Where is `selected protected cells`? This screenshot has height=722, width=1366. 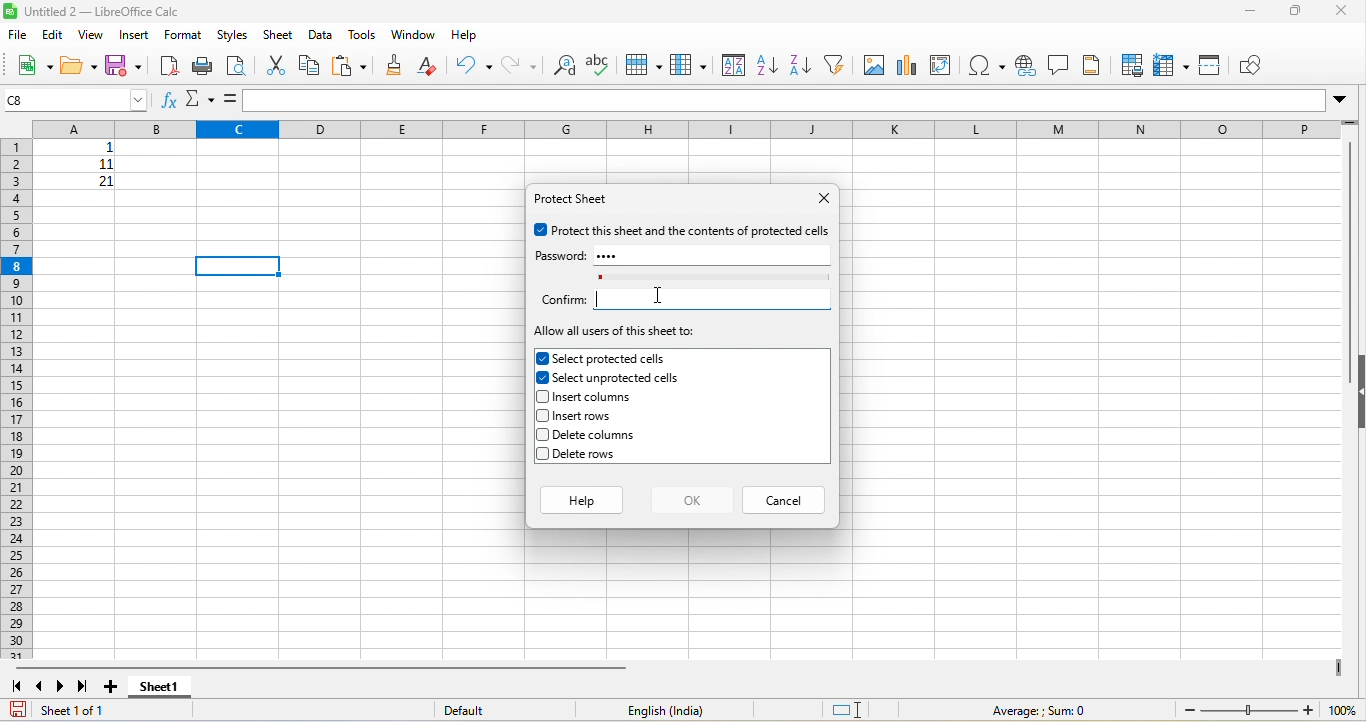 selected protected cells is located at coordinates (610, 358).